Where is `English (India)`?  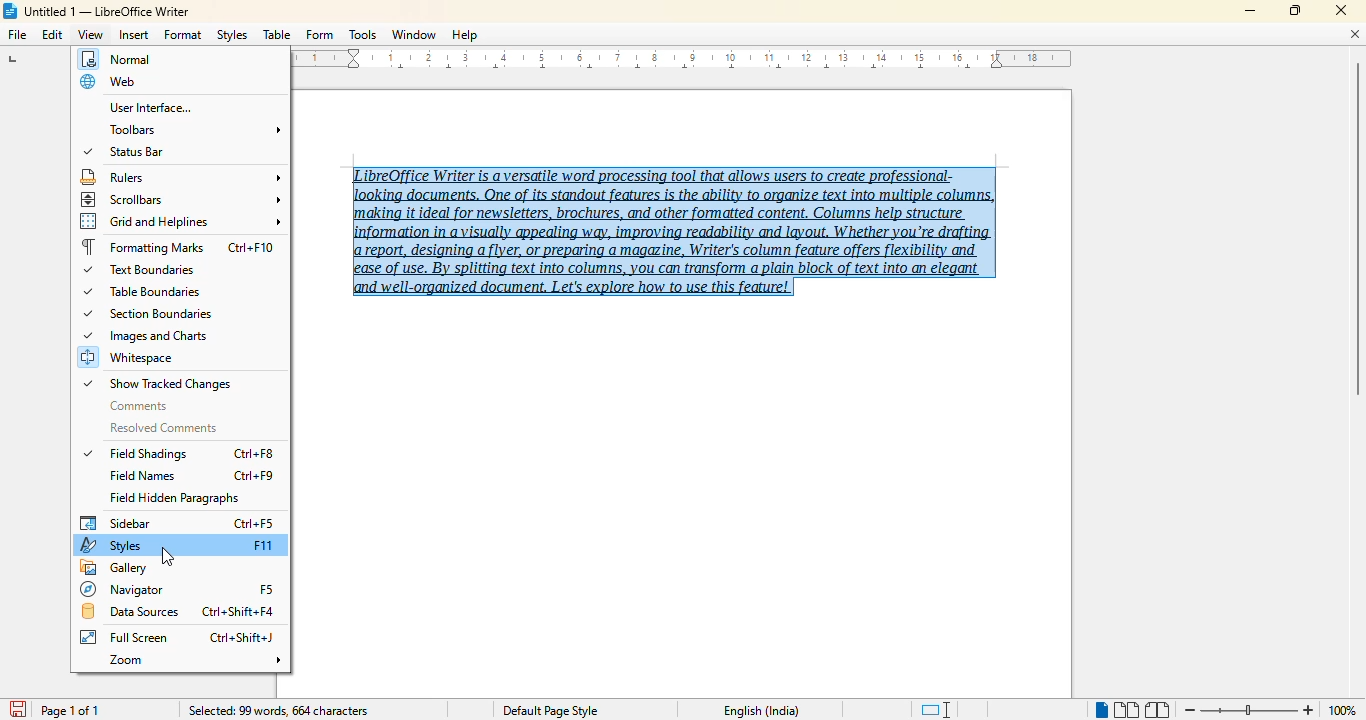
English (India) is located at coordinates (762, 711).